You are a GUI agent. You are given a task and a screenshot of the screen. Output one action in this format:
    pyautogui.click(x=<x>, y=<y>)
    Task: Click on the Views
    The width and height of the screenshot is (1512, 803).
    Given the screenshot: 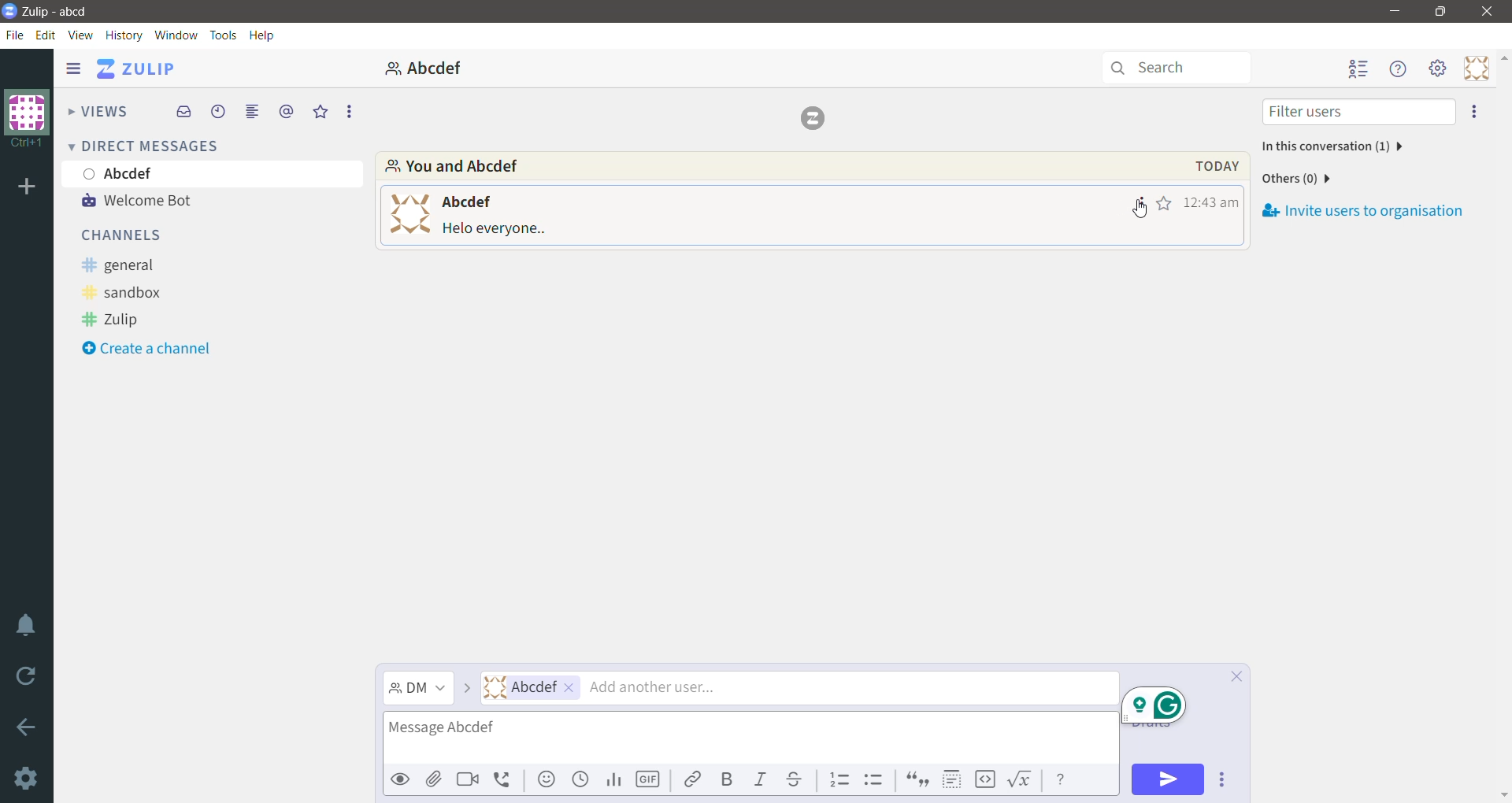 What is the action you would take?
    pyautogui.click(x=97, y=109)
    